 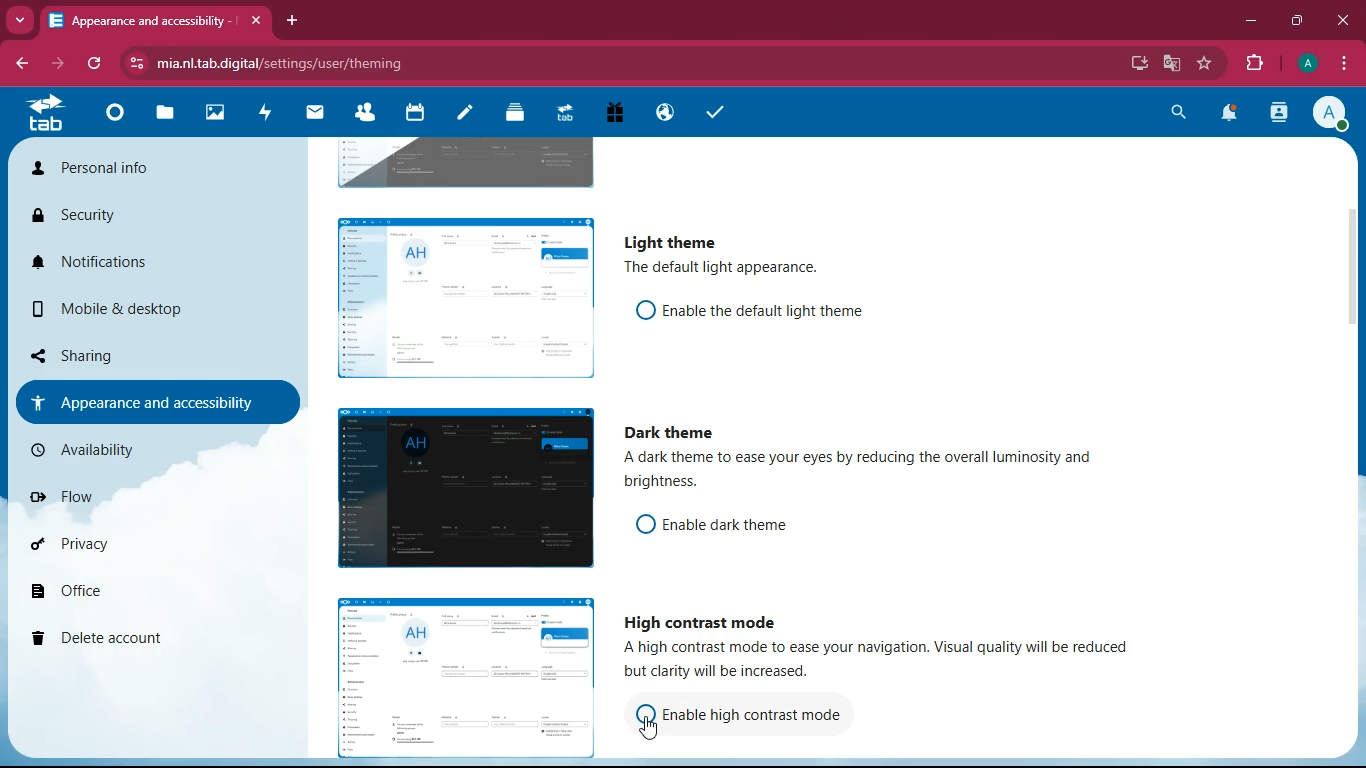 What do you see at coordinates (22, 21) in the screenshot?
I see `more` at bounding box center [22, 21].